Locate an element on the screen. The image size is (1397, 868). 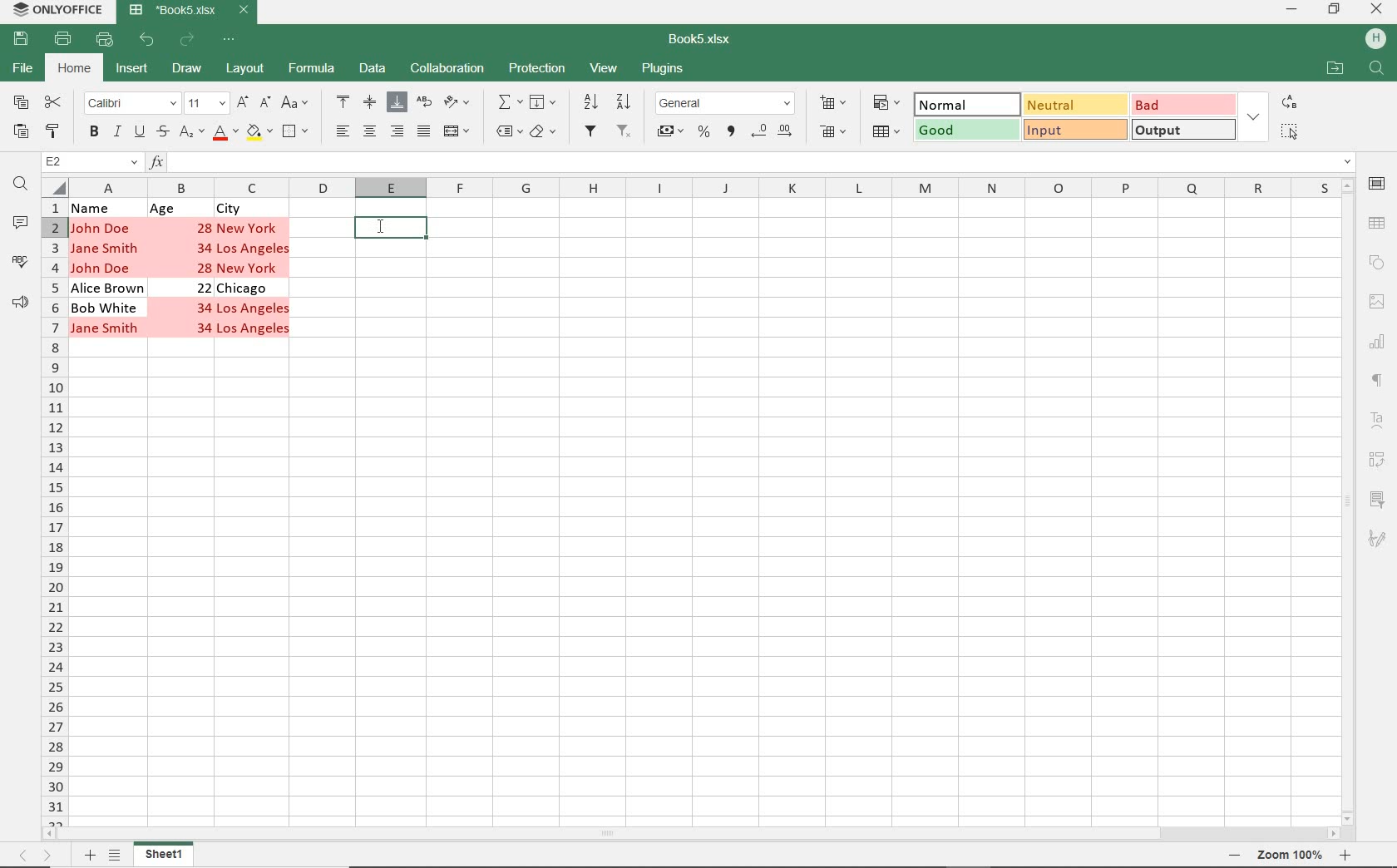
INSERT FUNCTION is located at coordinates (752, 161).